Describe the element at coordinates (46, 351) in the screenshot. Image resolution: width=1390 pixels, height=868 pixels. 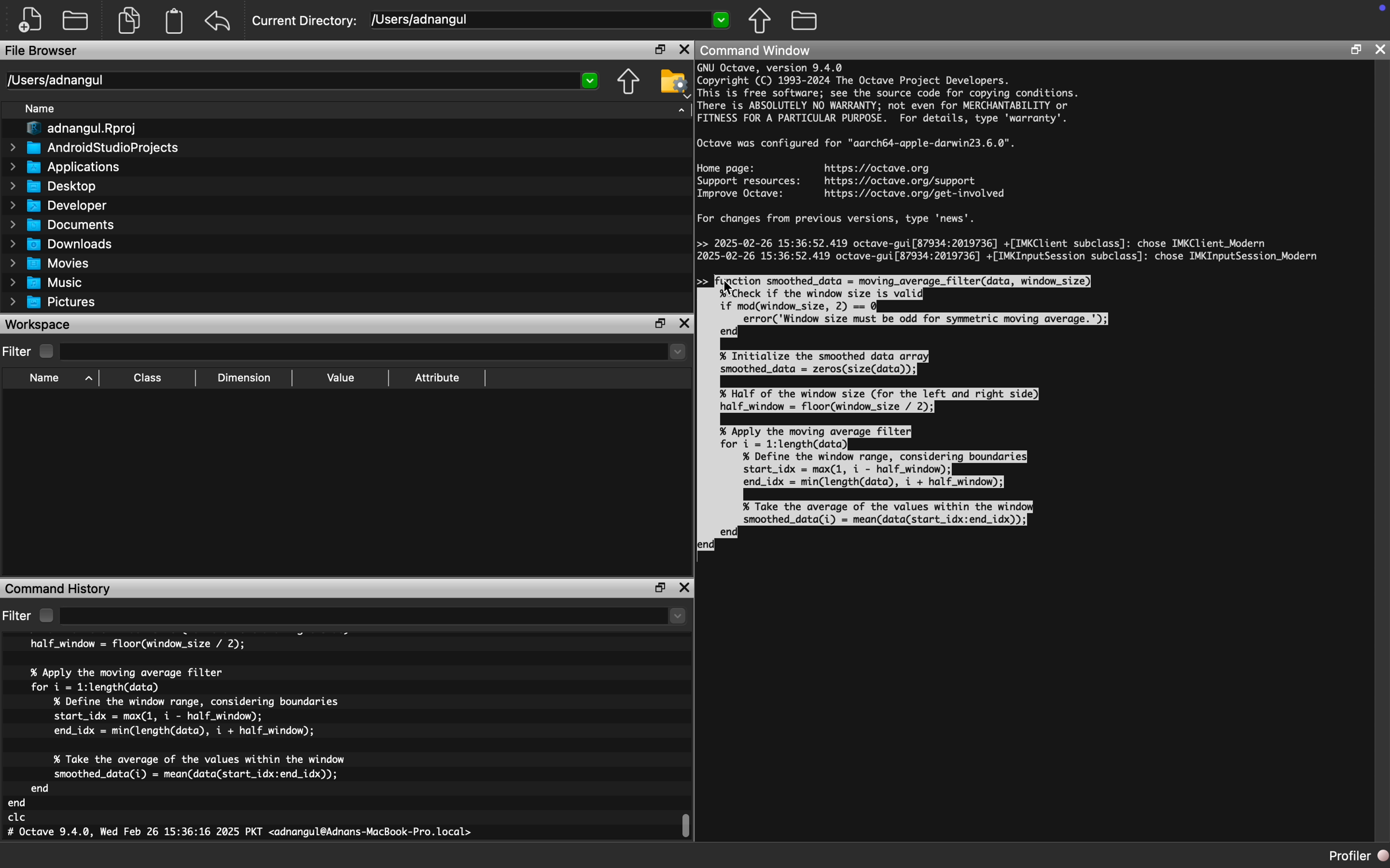
I see `Checkbox` at that location.